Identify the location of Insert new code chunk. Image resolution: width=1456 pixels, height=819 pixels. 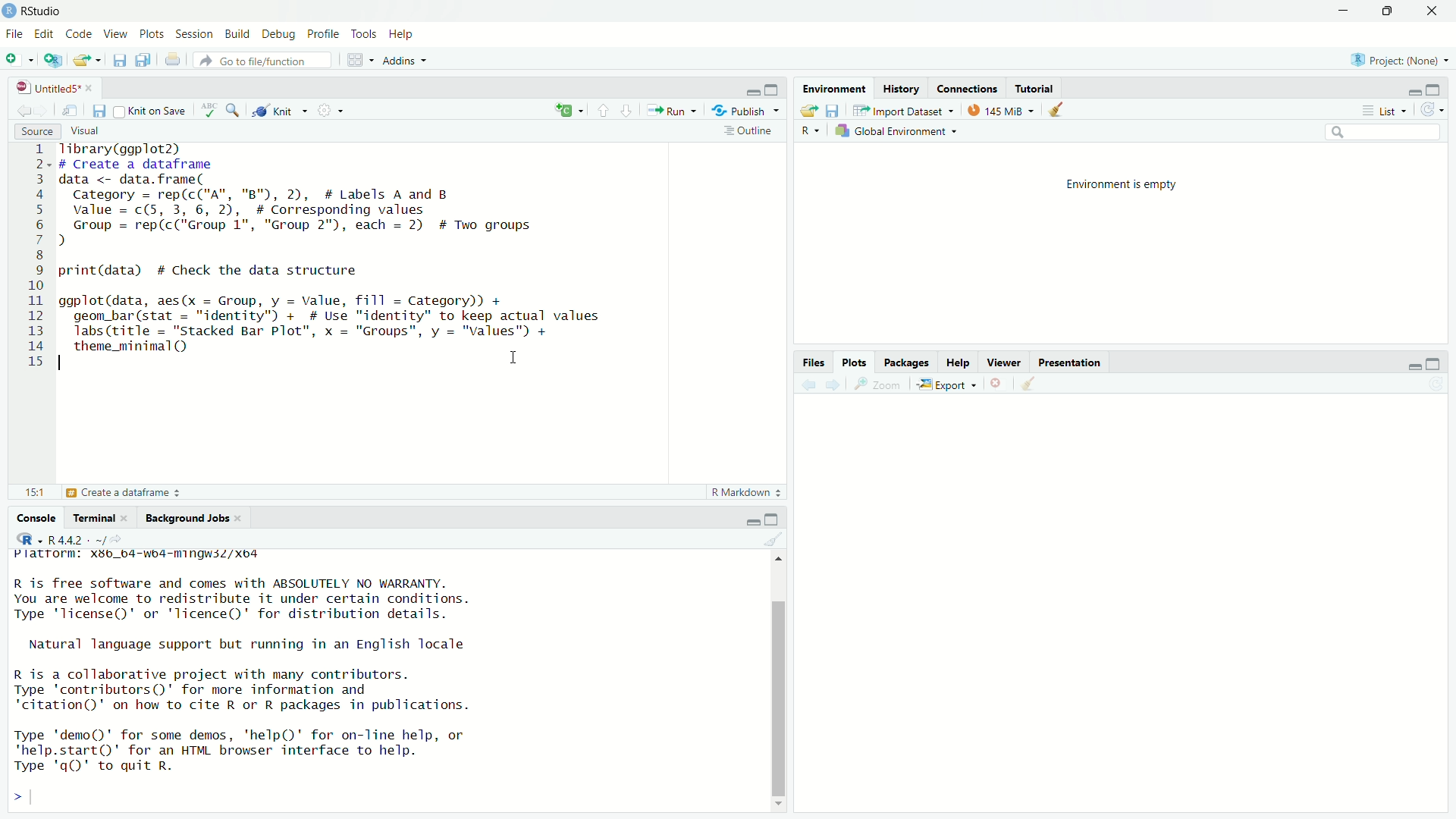
(566, 108).